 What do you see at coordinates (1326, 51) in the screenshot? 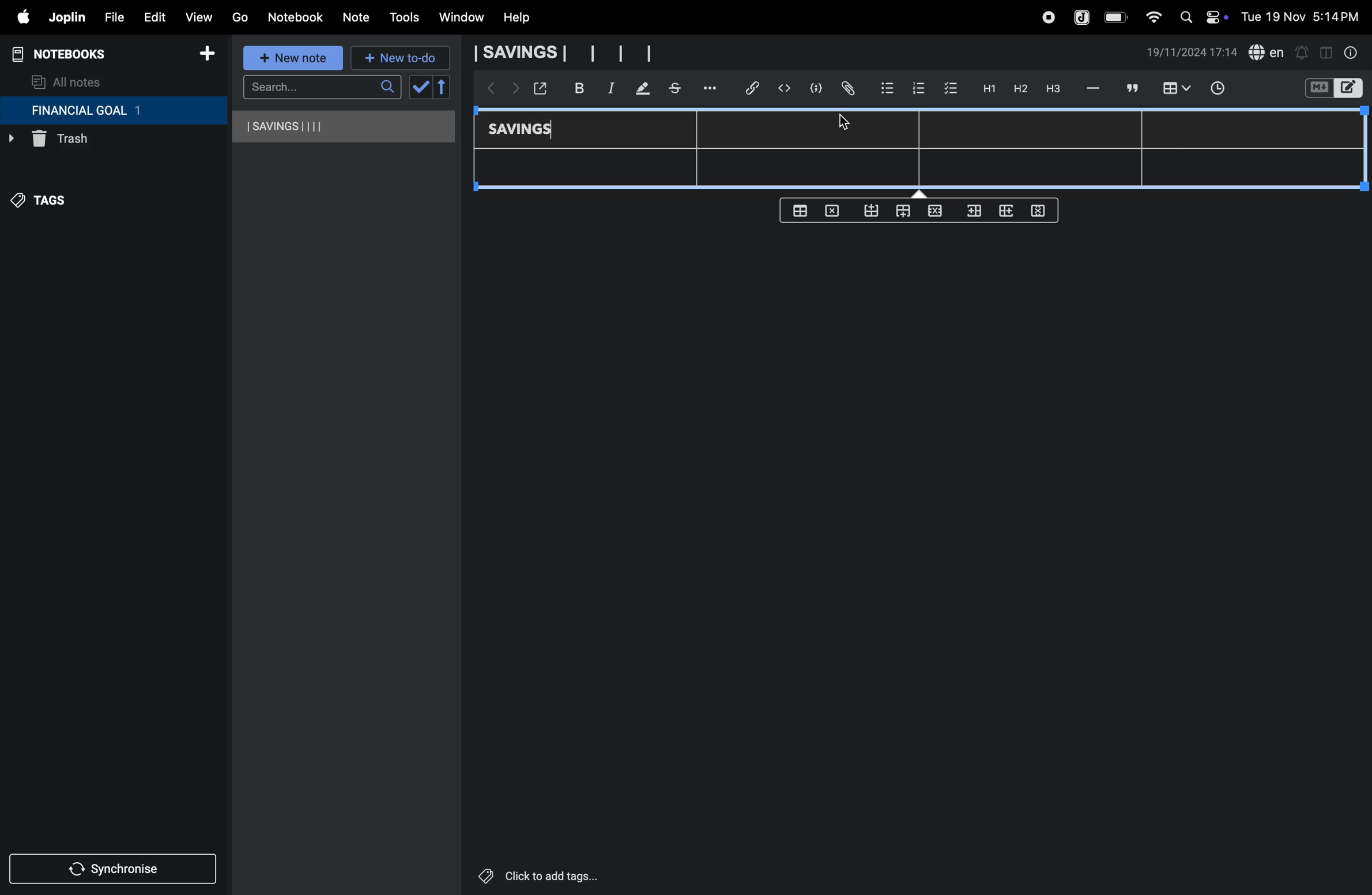
I see `toggle editor` at bounding box center [1326, 51].